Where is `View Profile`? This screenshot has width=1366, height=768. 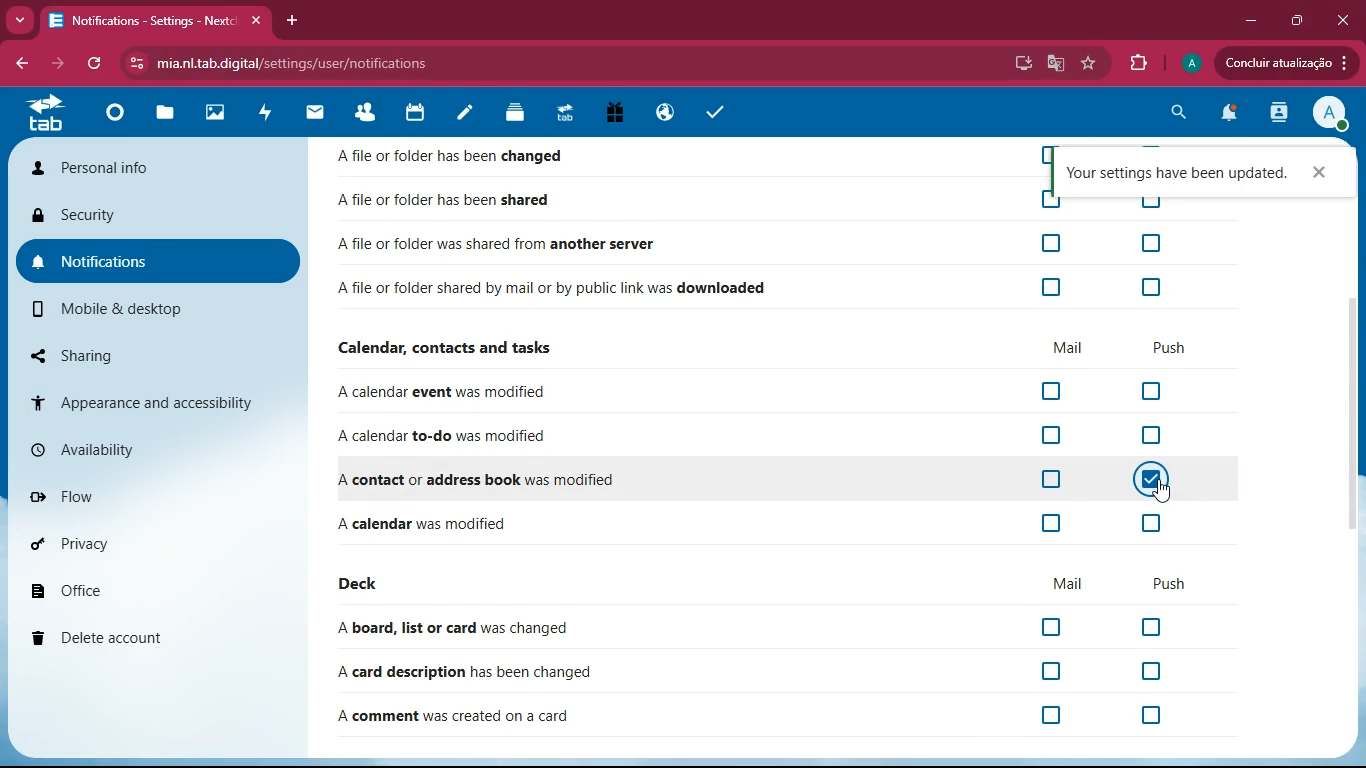
View Profile is located at coordinates (1330, 114).